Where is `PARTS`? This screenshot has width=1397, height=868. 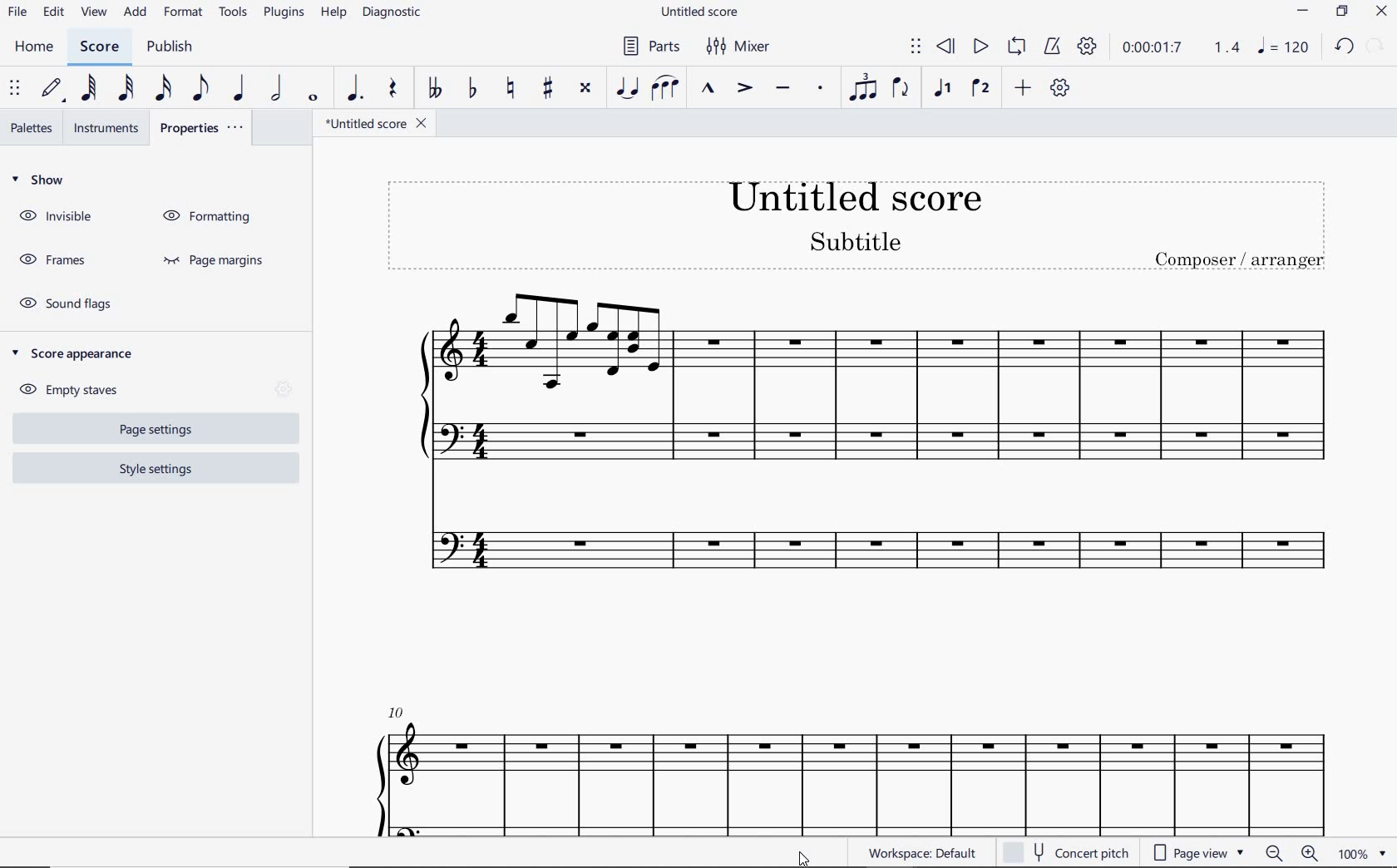
PARTS is located at coordinates (653, 47).